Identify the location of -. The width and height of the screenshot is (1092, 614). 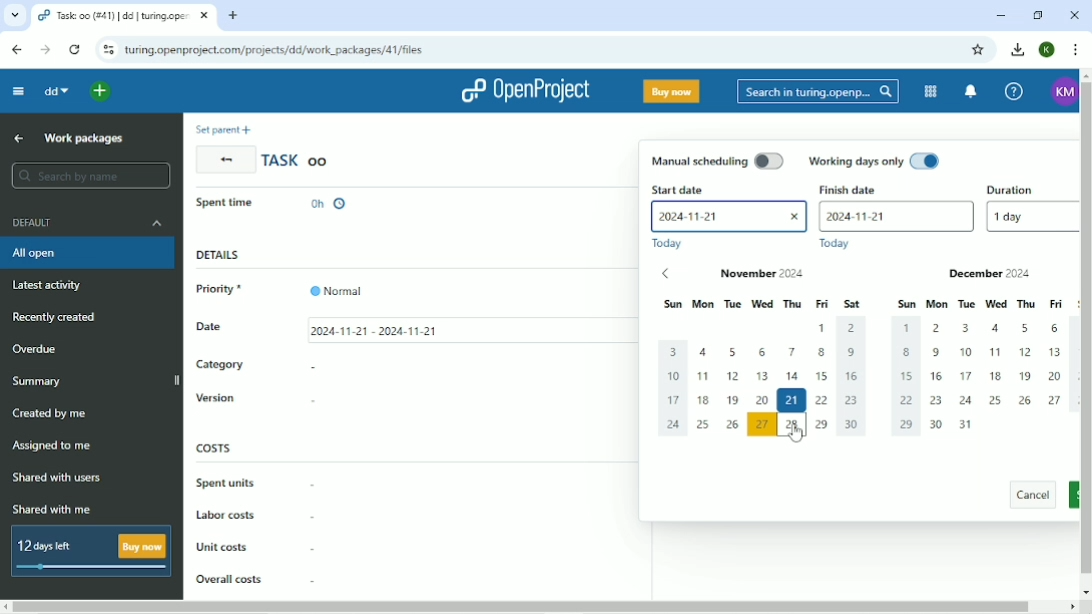
(313, 516).